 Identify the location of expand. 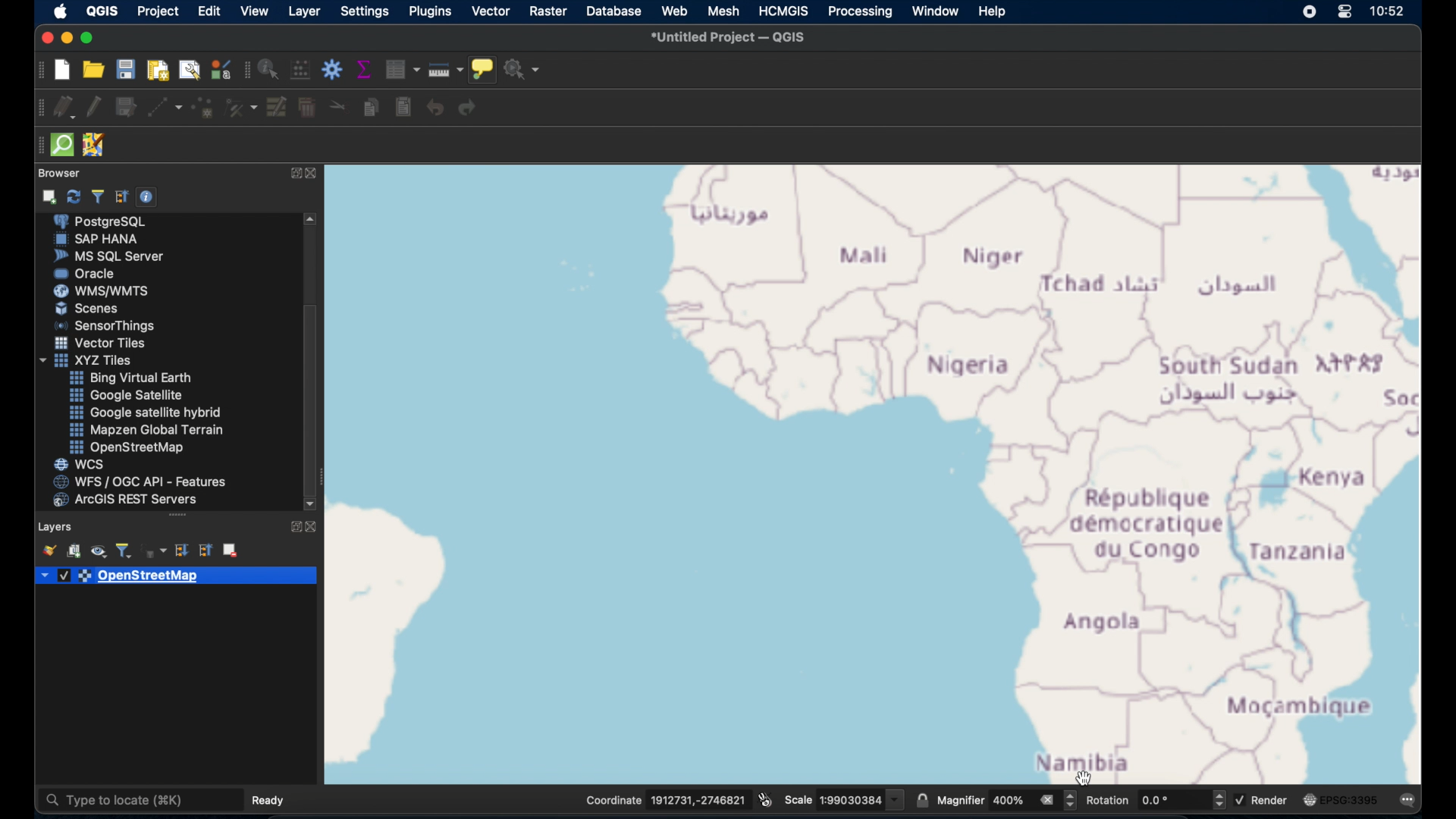
(293, 173).